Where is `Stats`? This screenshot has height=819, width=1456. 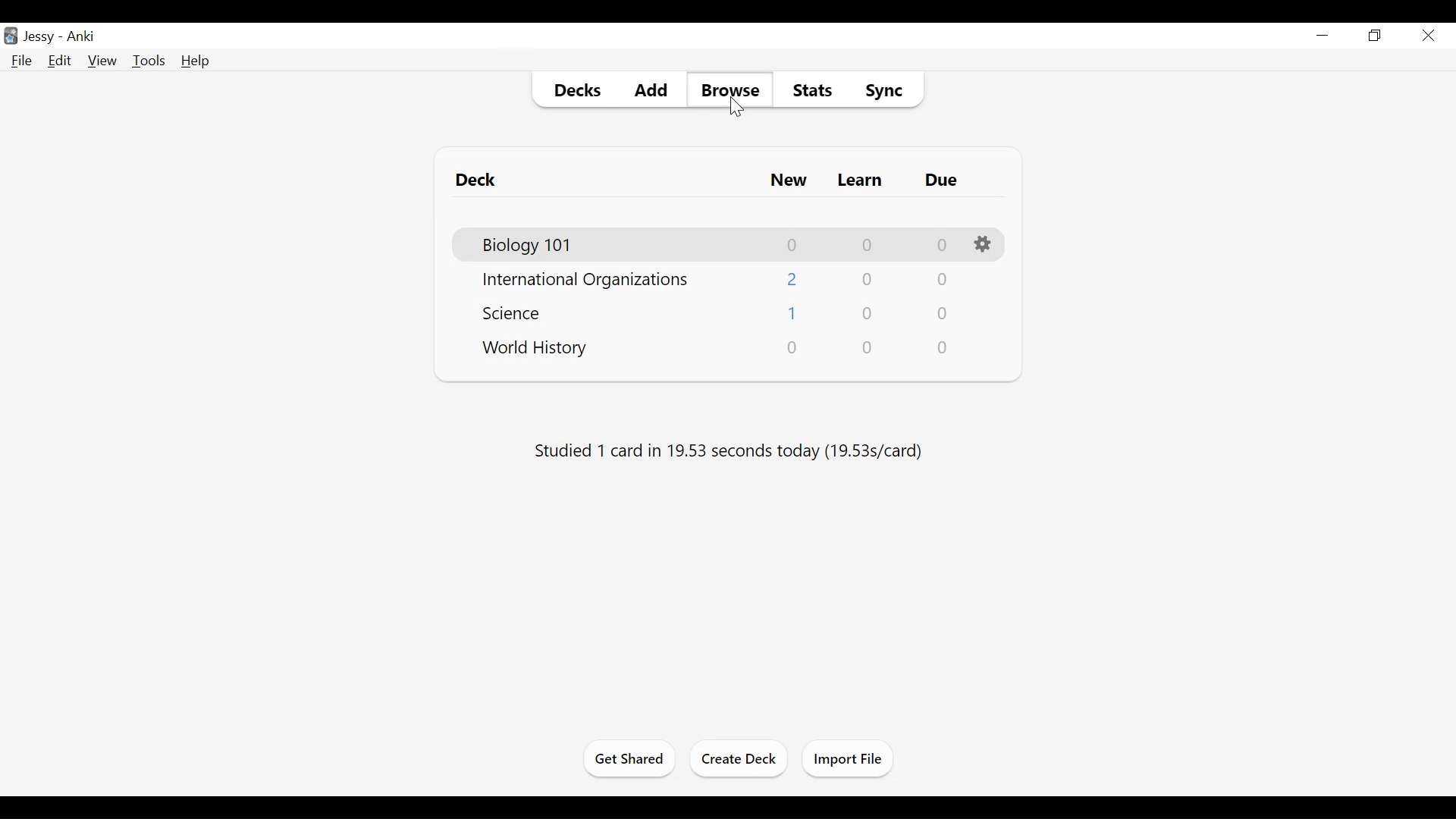
Stats is located at coordinates (811, 89).